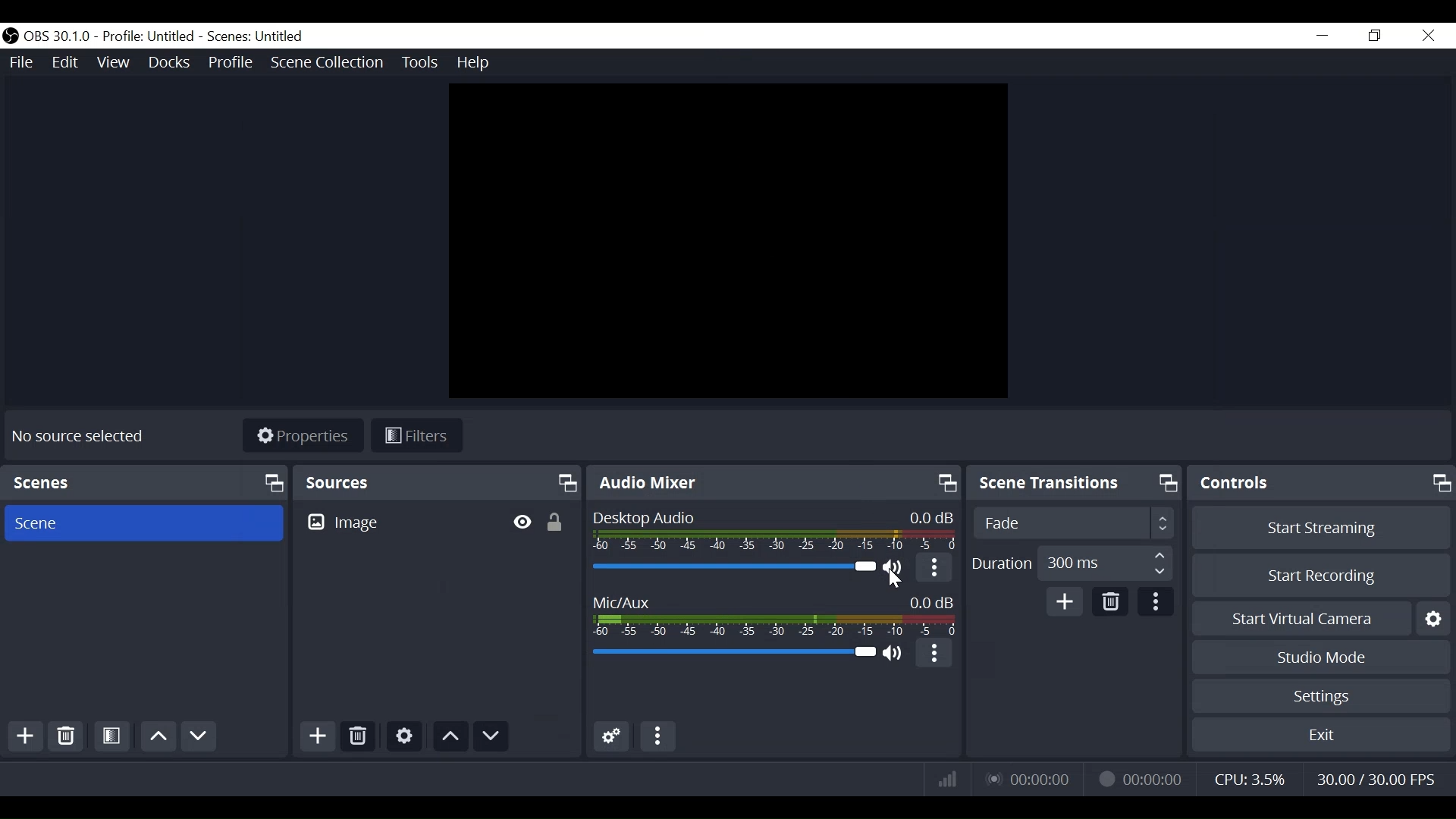 The width and height of the screenshot is (1456, 819). What do you see at coordinates (1111, 602) in the screenshot?
I see `Delete` at bounding box center [1111, 602].